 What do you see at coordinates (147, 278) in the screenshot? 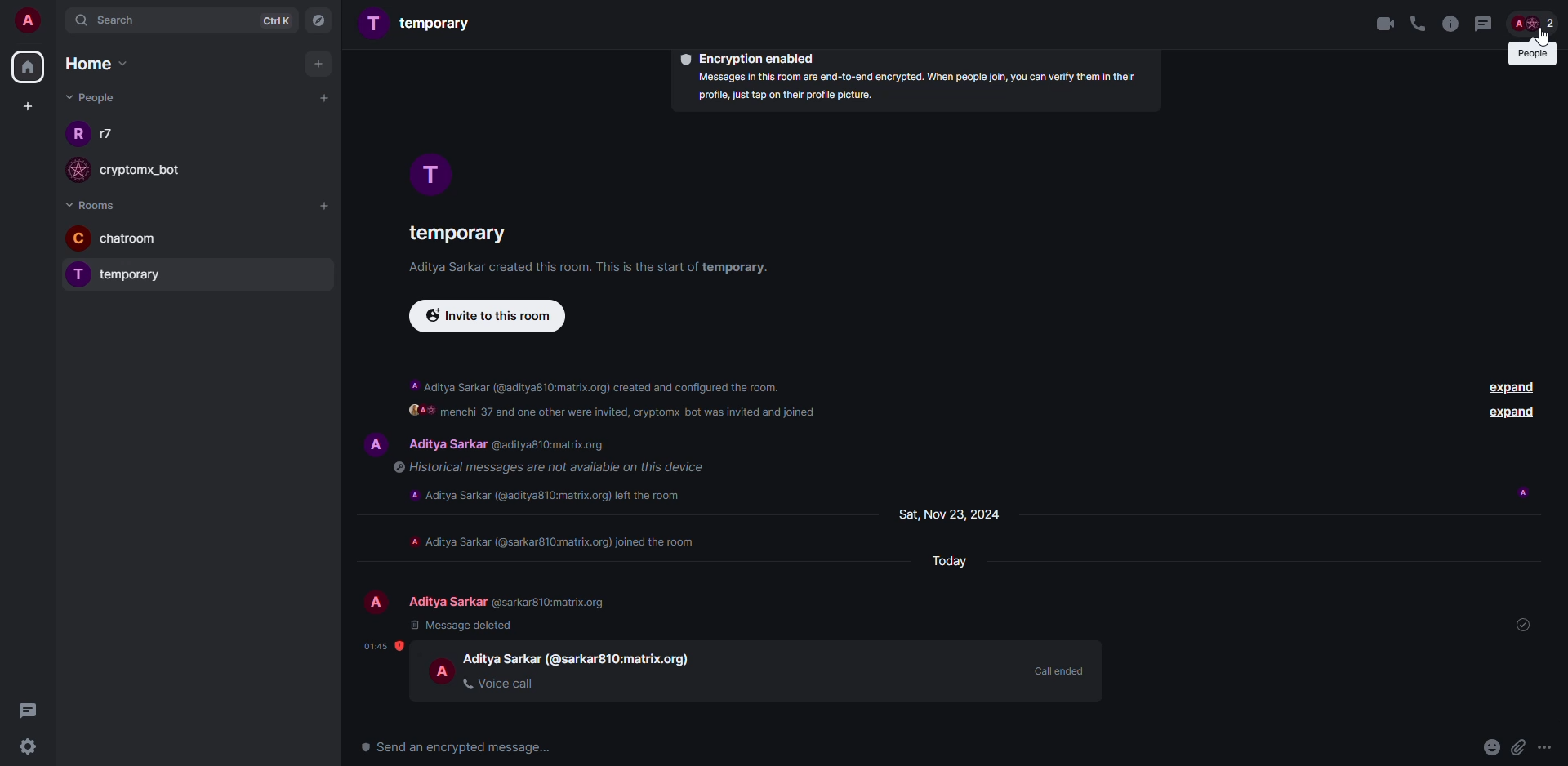
I see `room` at bounding box center [147, 278].